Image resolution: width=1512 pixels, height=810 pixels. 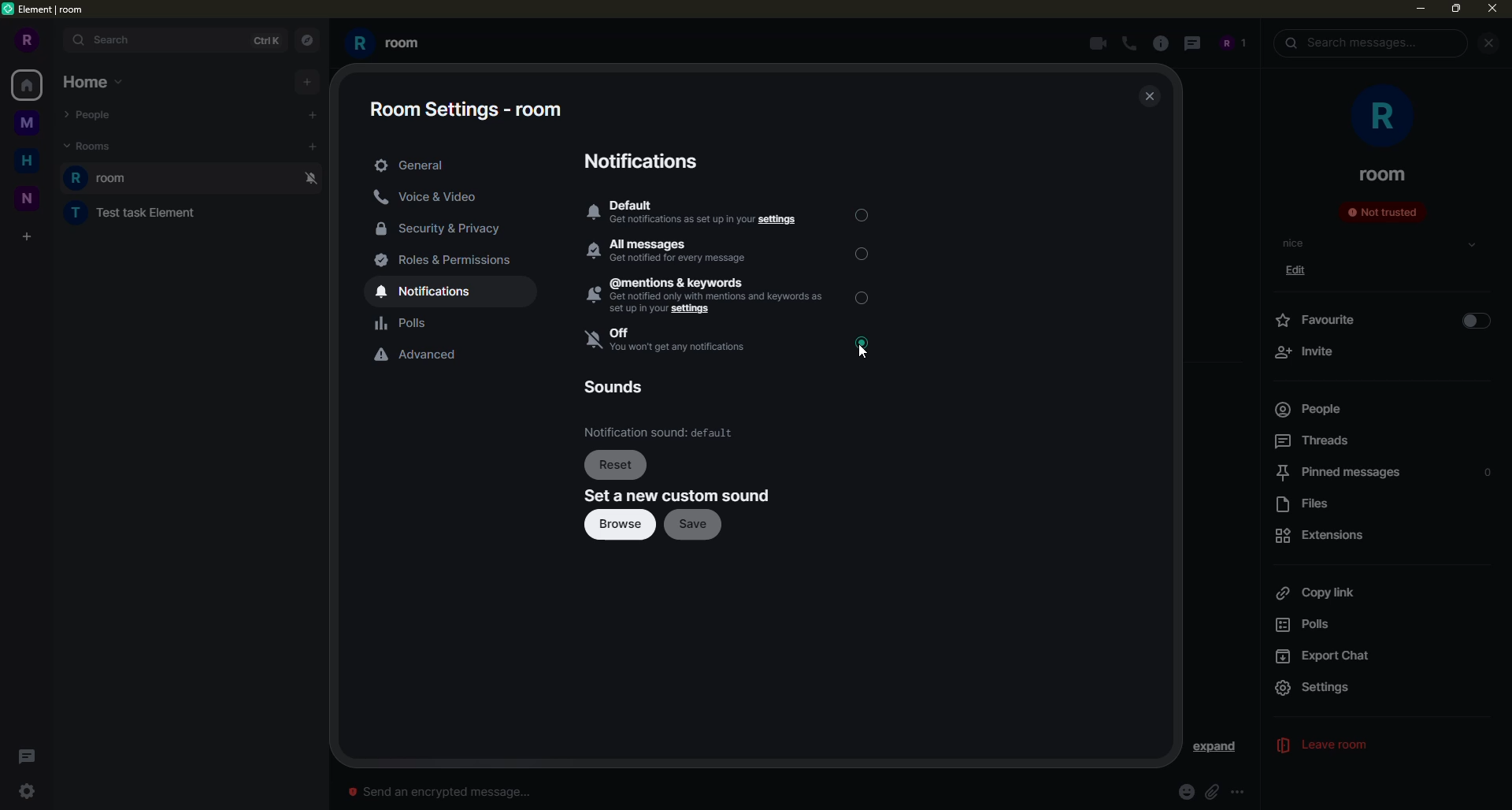 What do you see at coordinates (28, 199) in the screenshot?
I see `N` at bounding box center [28, 199].